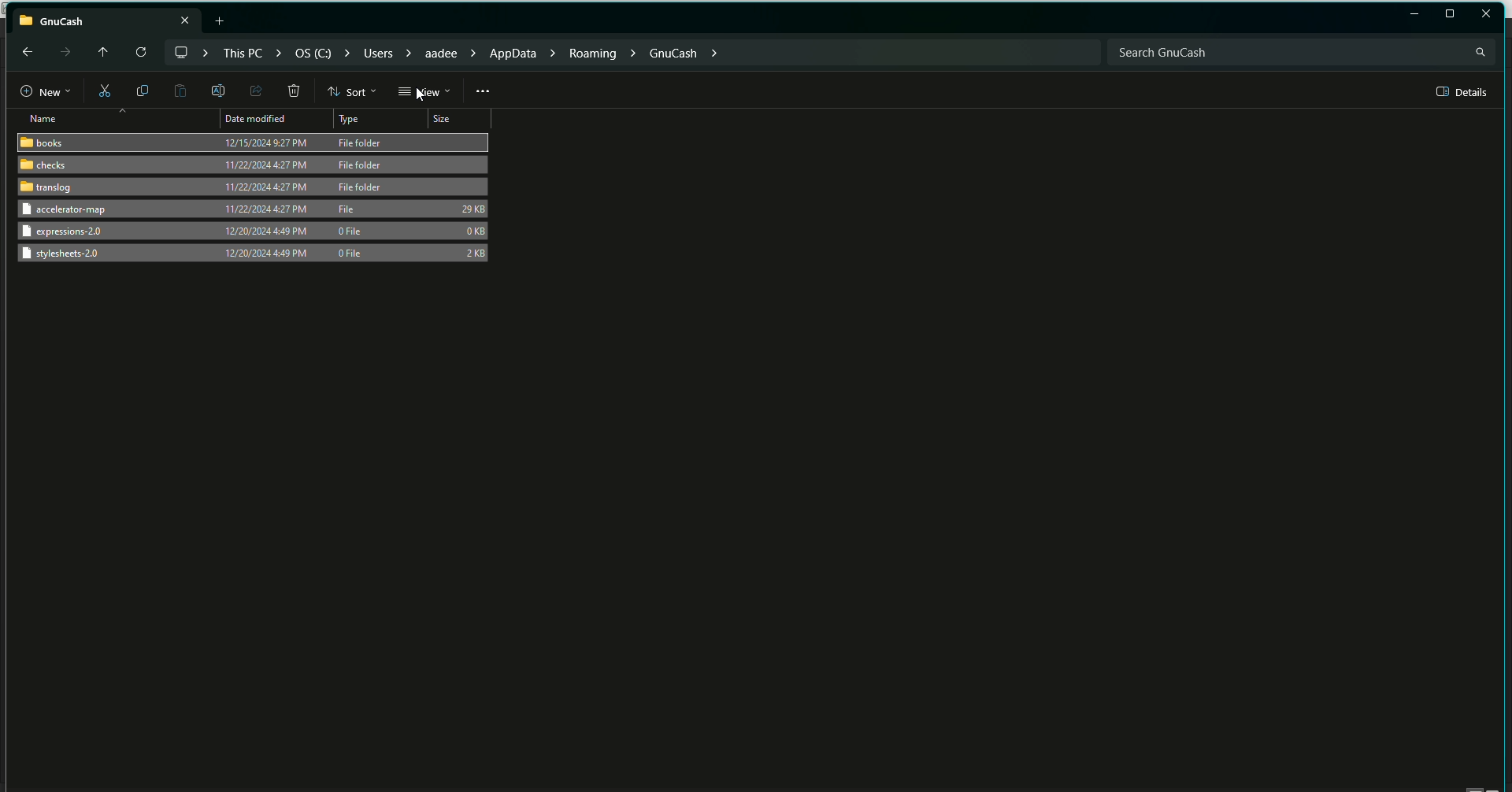 The width and height of the screenshot is (1512, 792). What do you see at coordinates (1487, 13) in the screenshot?
I see `Close` at bounding box center [1487, 13].